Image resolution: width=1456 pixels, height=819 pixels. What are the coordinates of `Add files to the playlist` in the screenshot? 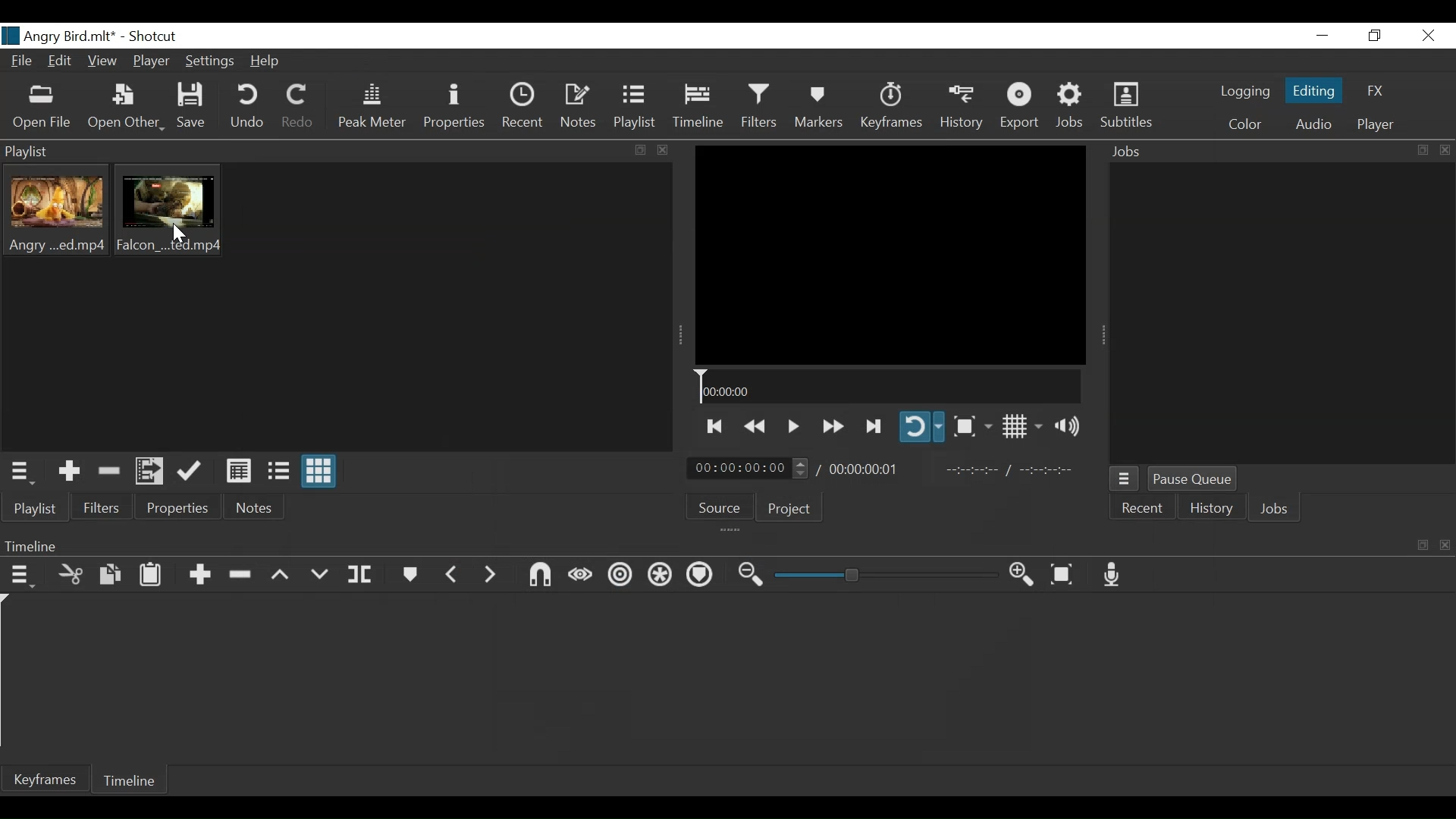 It's located at (152, 469).